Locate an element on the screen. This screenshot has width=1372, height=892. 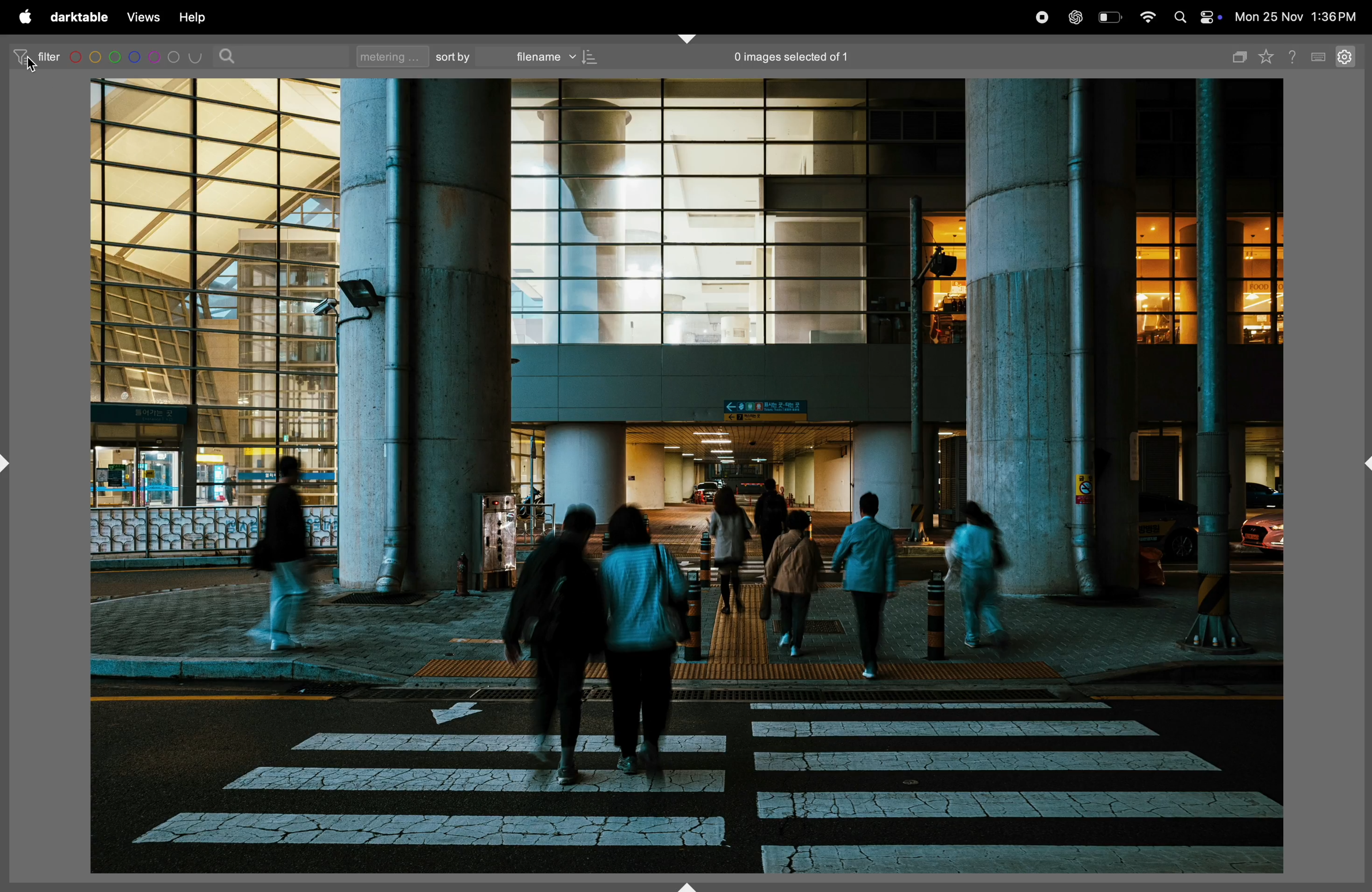
help is located at coordinates (1296, 55).